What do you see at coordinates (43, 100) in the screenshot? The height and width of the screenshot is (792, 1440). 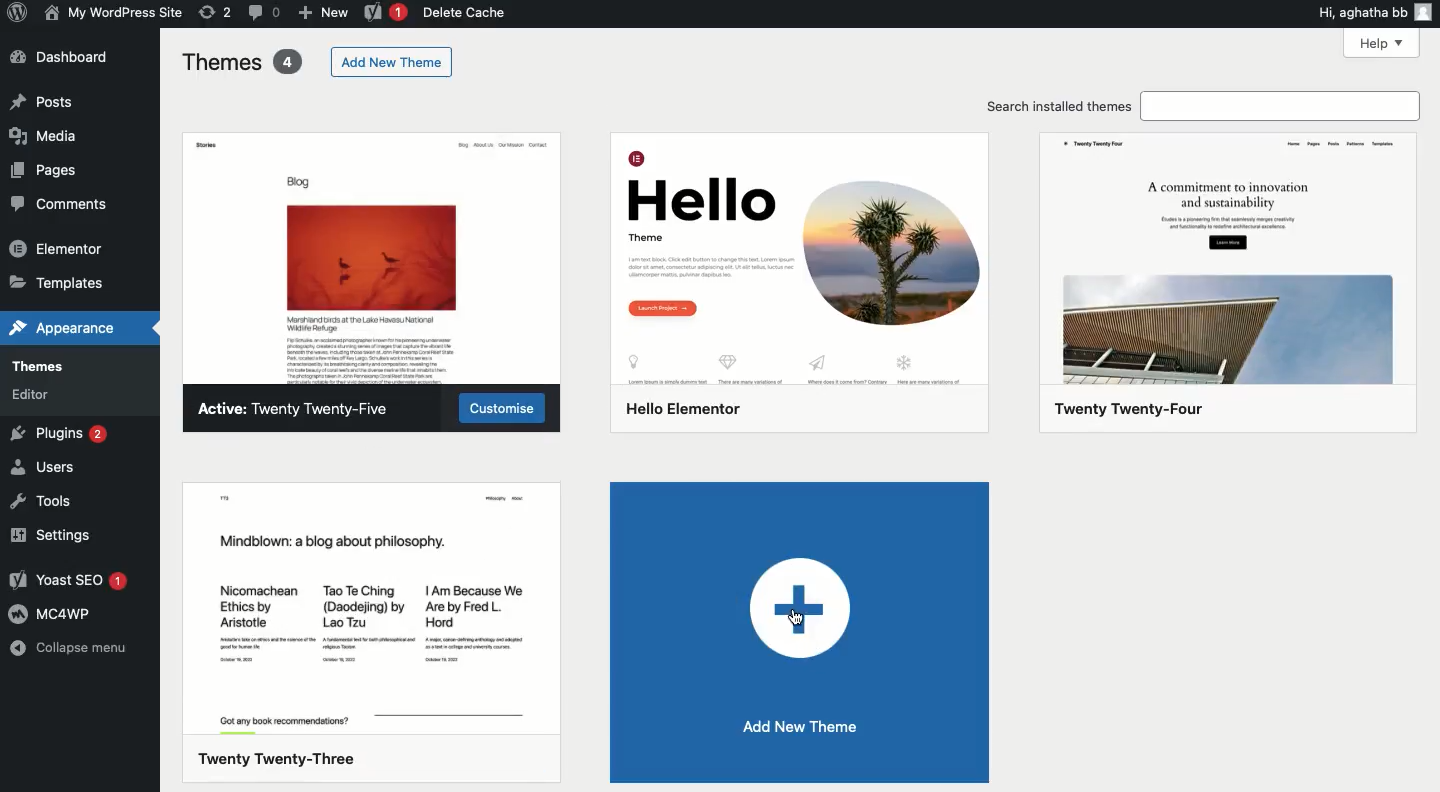 I see `Post` at bounding box center [43, 100].